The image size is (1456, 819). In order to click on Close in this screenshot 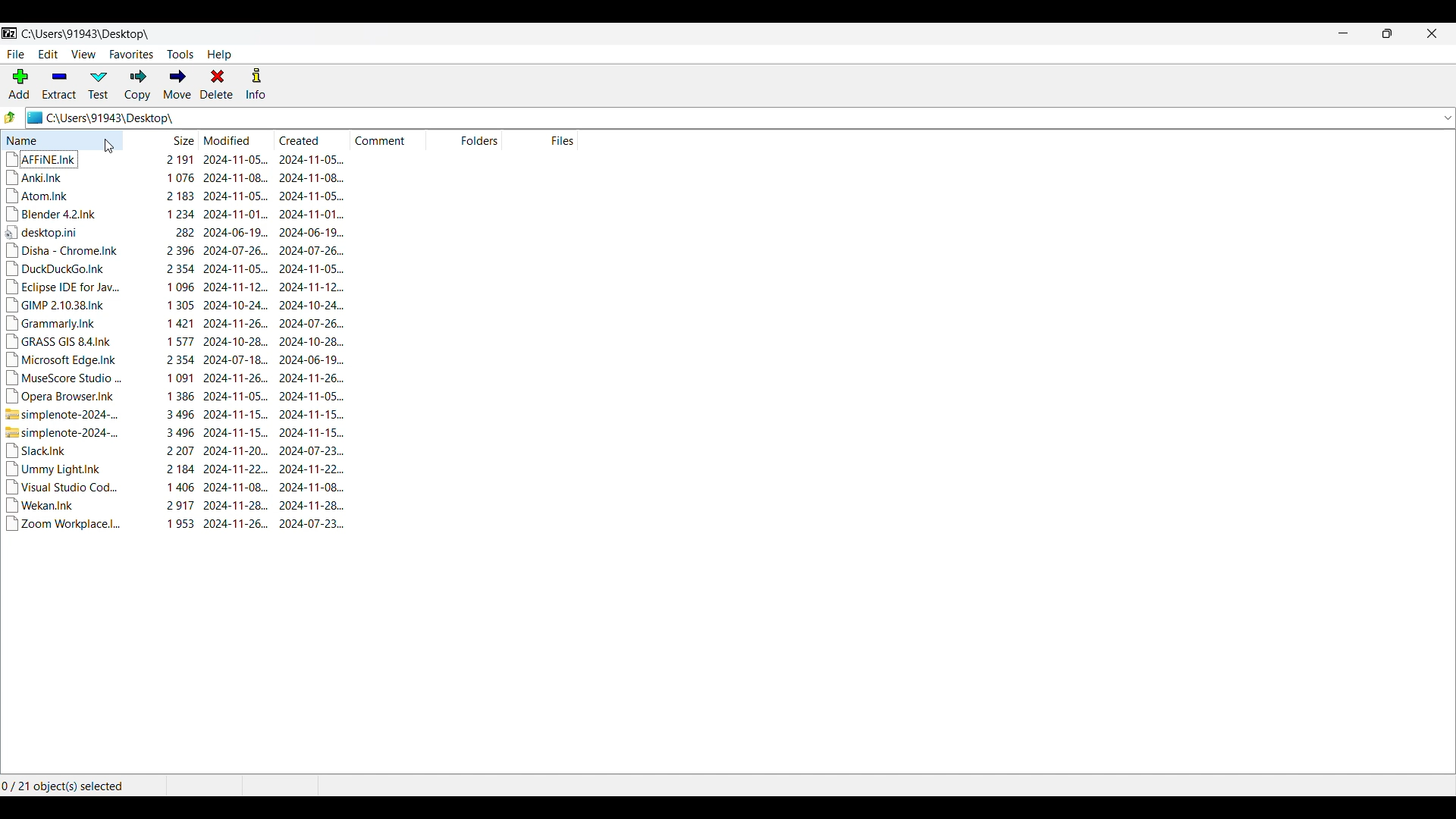, I will do `click(1432, 33)`.